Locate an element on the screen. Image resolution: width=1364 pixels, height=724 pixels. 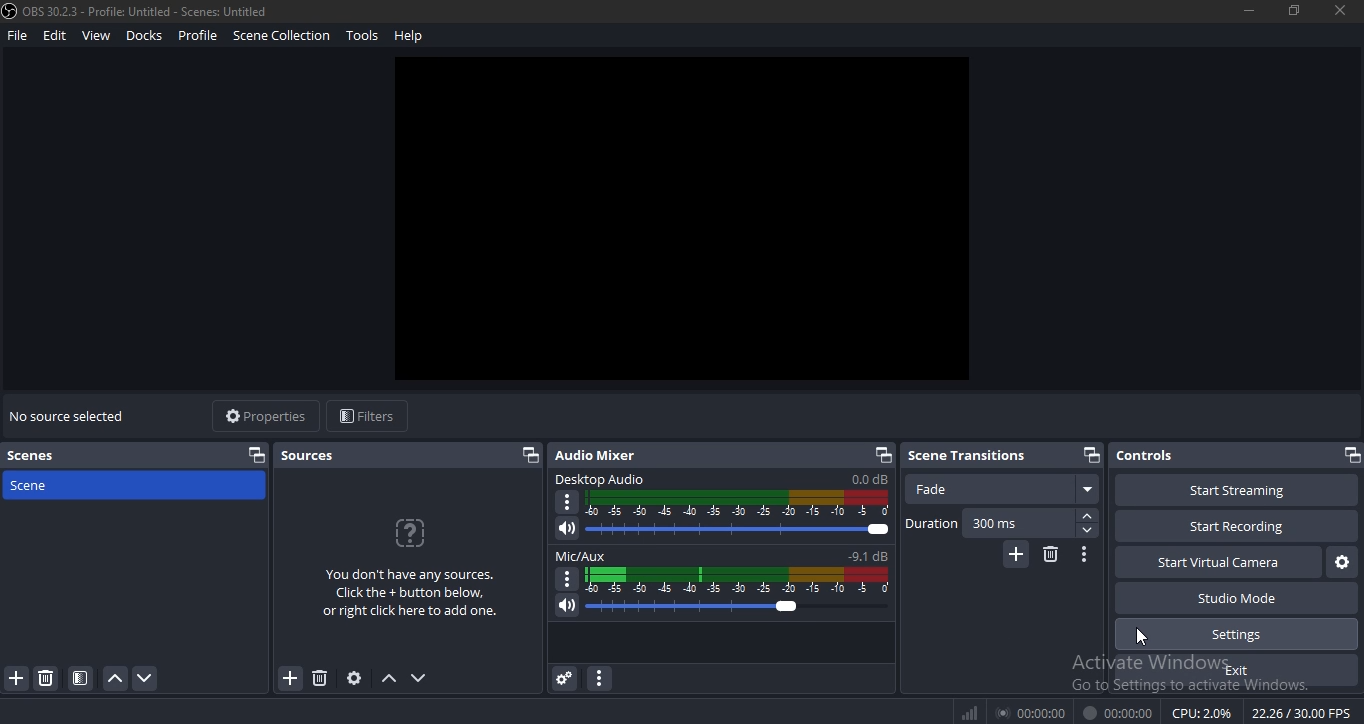
delete is located at coordinates (320, 677).